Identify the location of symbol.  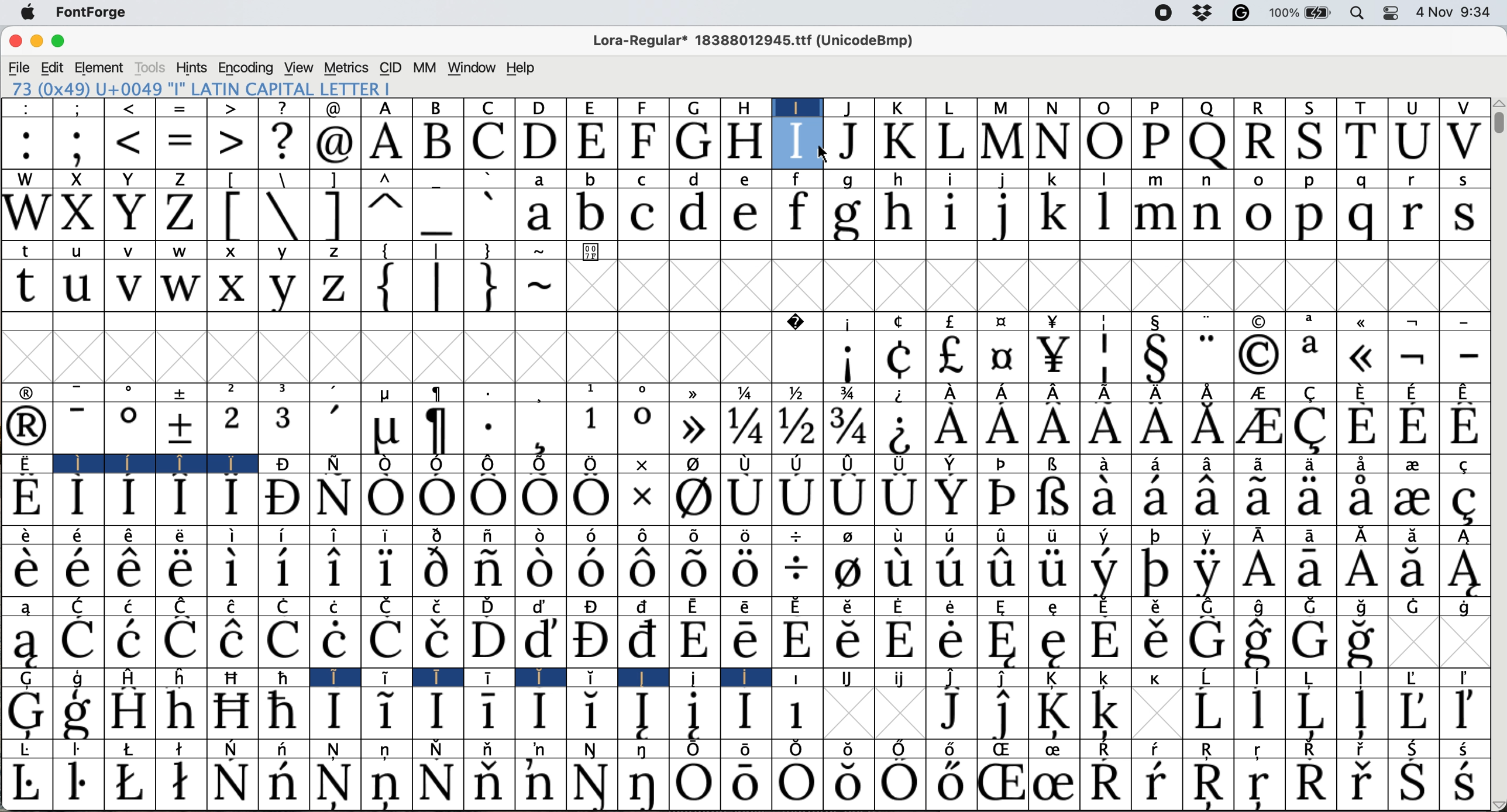
(1417, 319).